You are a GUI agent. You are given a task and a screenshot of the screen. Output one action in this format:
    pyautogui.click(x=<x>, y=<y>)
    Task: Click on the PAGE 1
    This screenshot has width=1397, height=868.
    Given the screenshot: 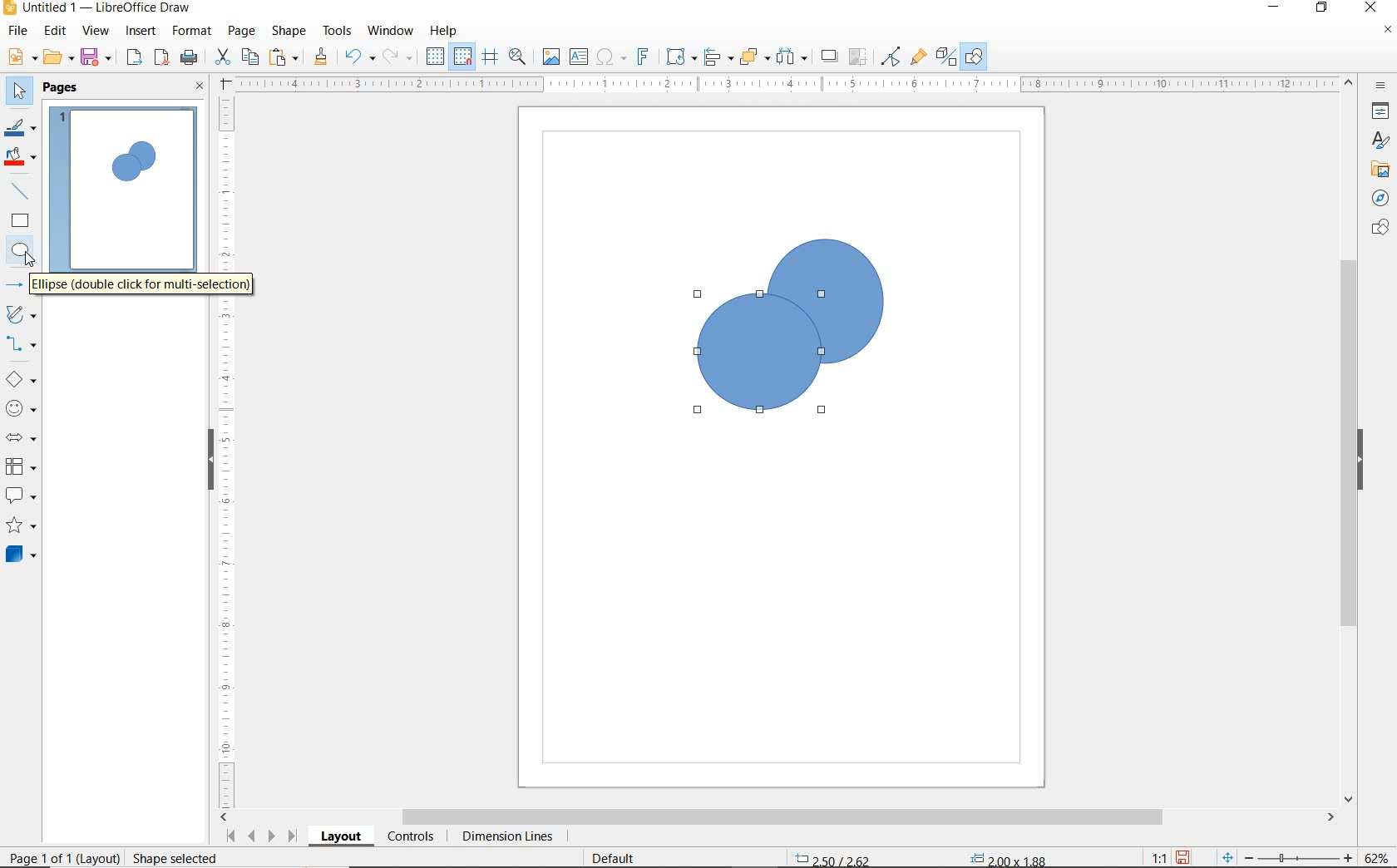 What is the action you would take?
    pyautogui.click(x=124, y=195)
    